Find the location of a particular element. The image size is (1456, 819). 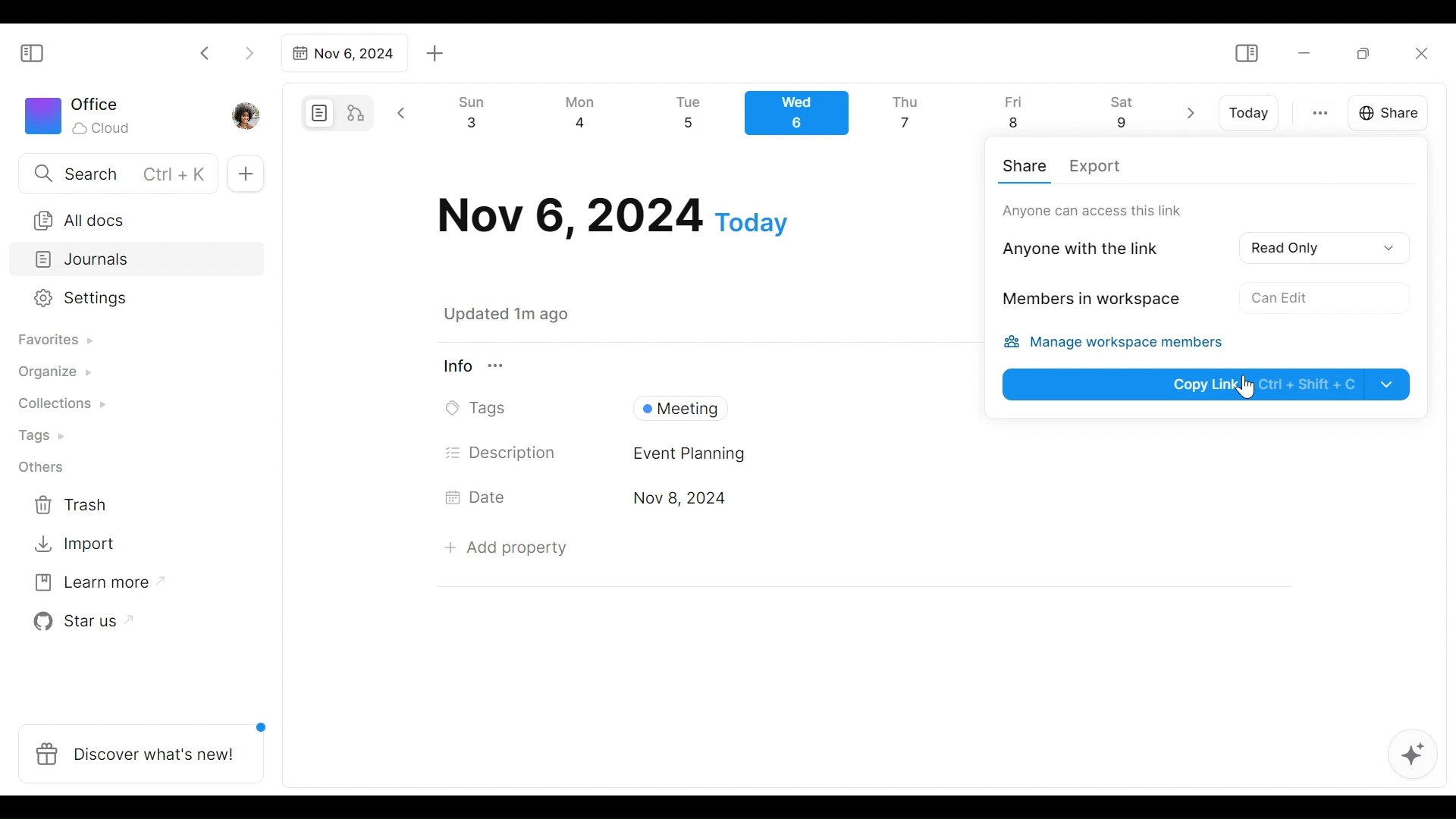

Show/Hide Sidebar is located at coordinates (1246, 54).